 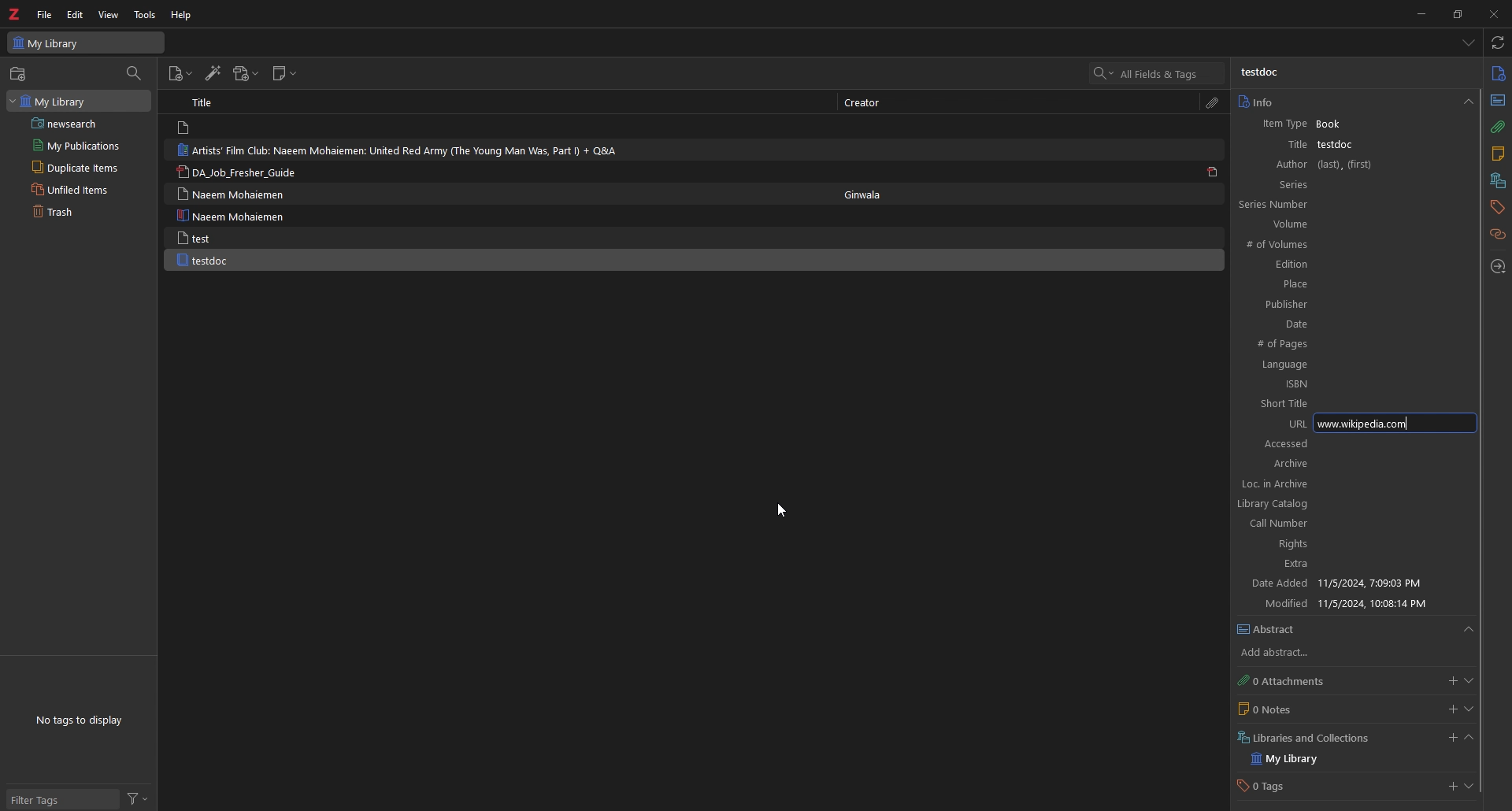 I want to click on notes, so click(x=1497, y=154).